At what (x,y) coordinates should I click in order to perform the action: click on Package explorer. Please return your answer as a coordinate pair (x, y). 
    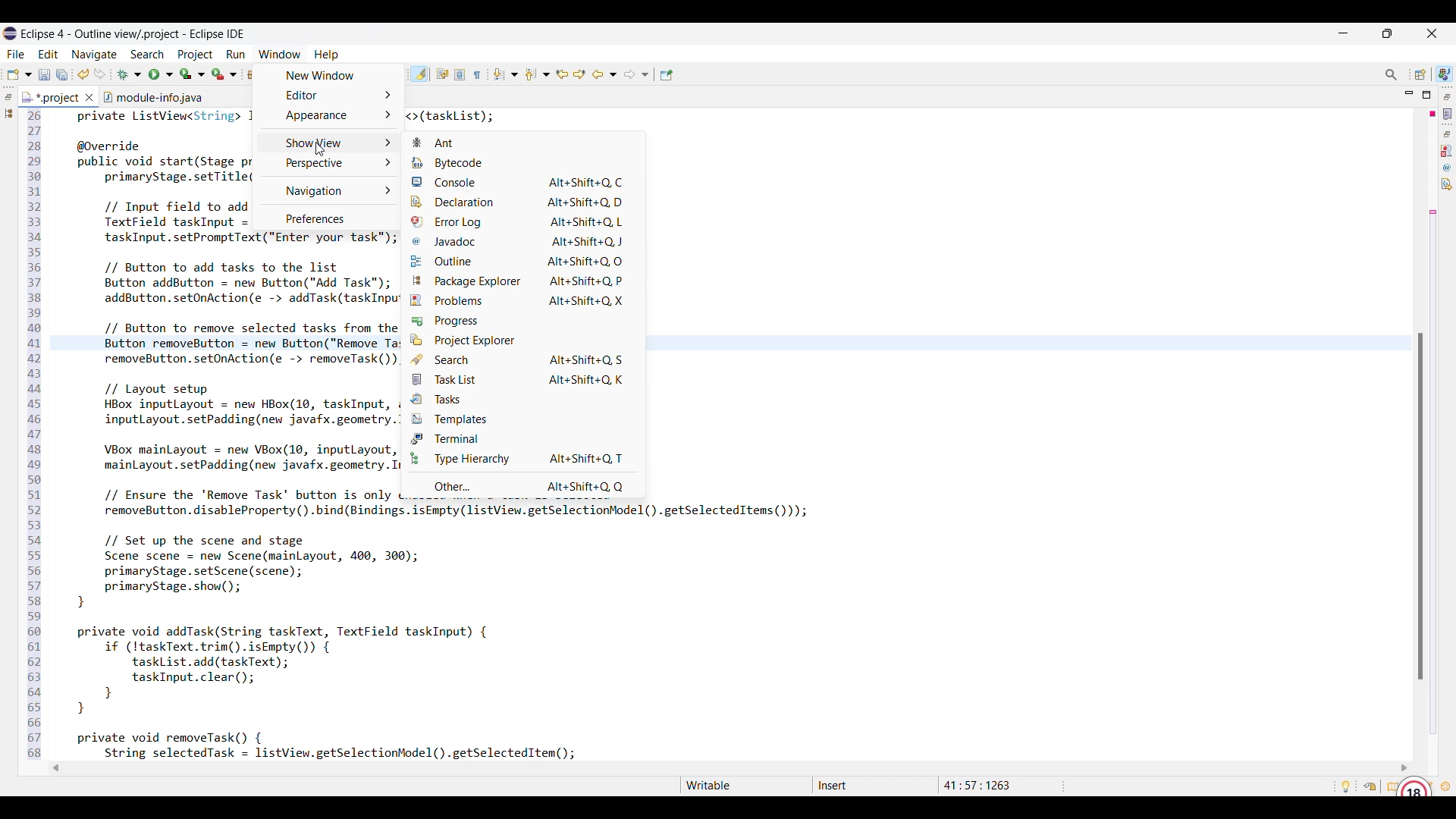
    Looking at the image, I should click on (8, 113).